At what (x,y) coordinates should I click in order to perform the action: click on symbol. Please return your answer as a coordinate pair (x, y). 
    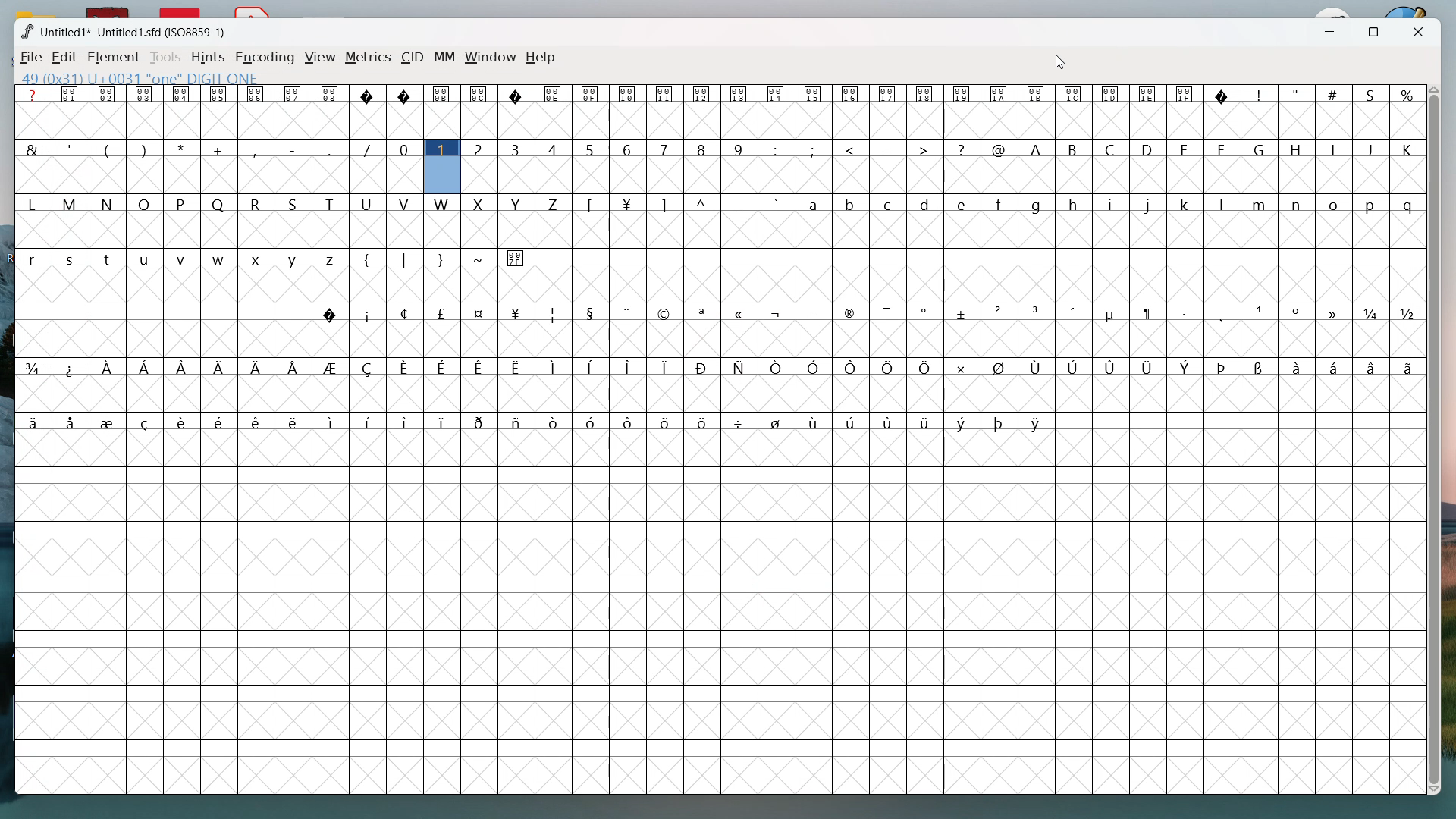
    Looking at the image, I should click on (71, 94).